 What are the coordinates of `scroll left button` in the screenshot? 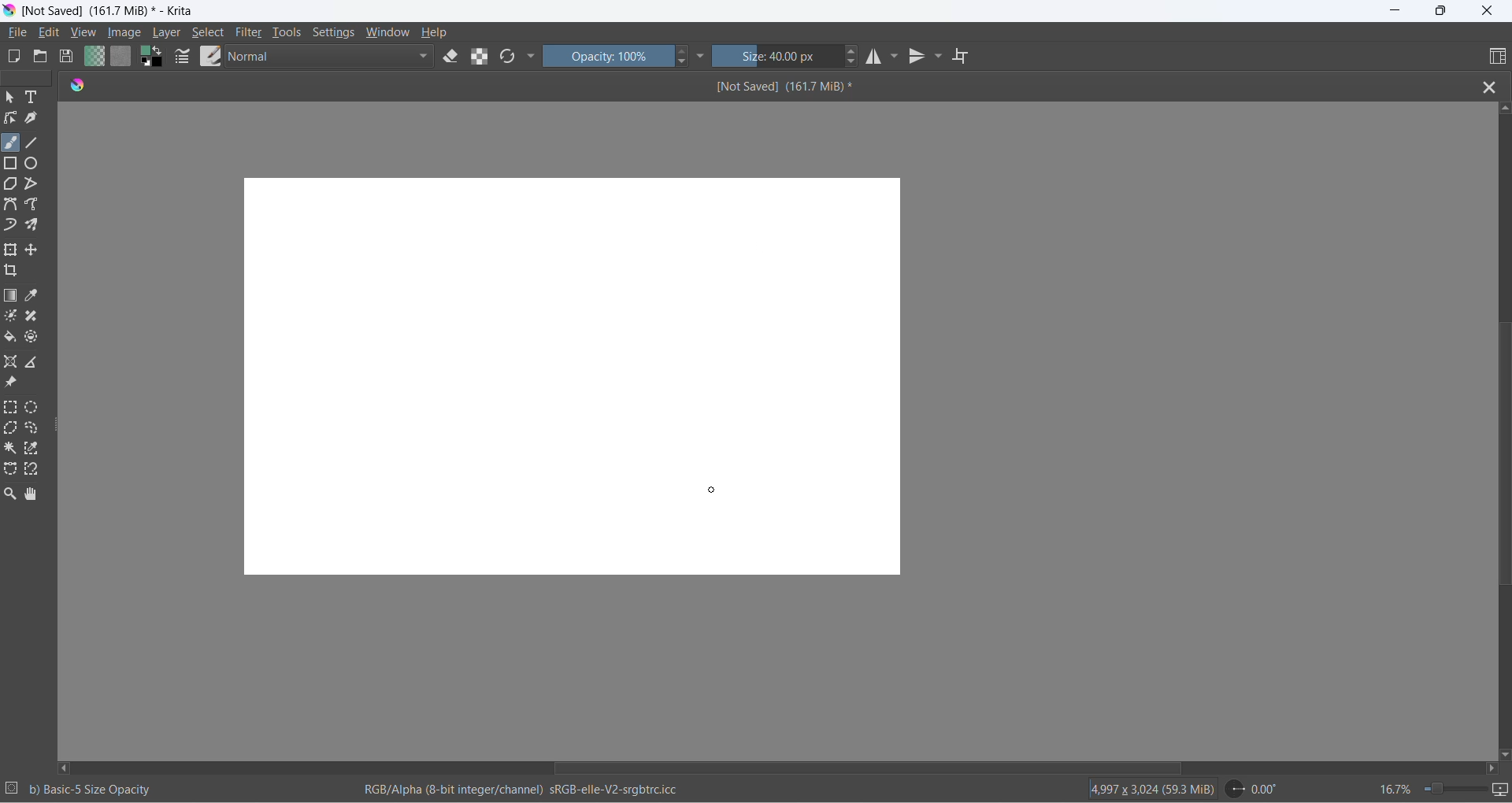 It's located at (67, 767).